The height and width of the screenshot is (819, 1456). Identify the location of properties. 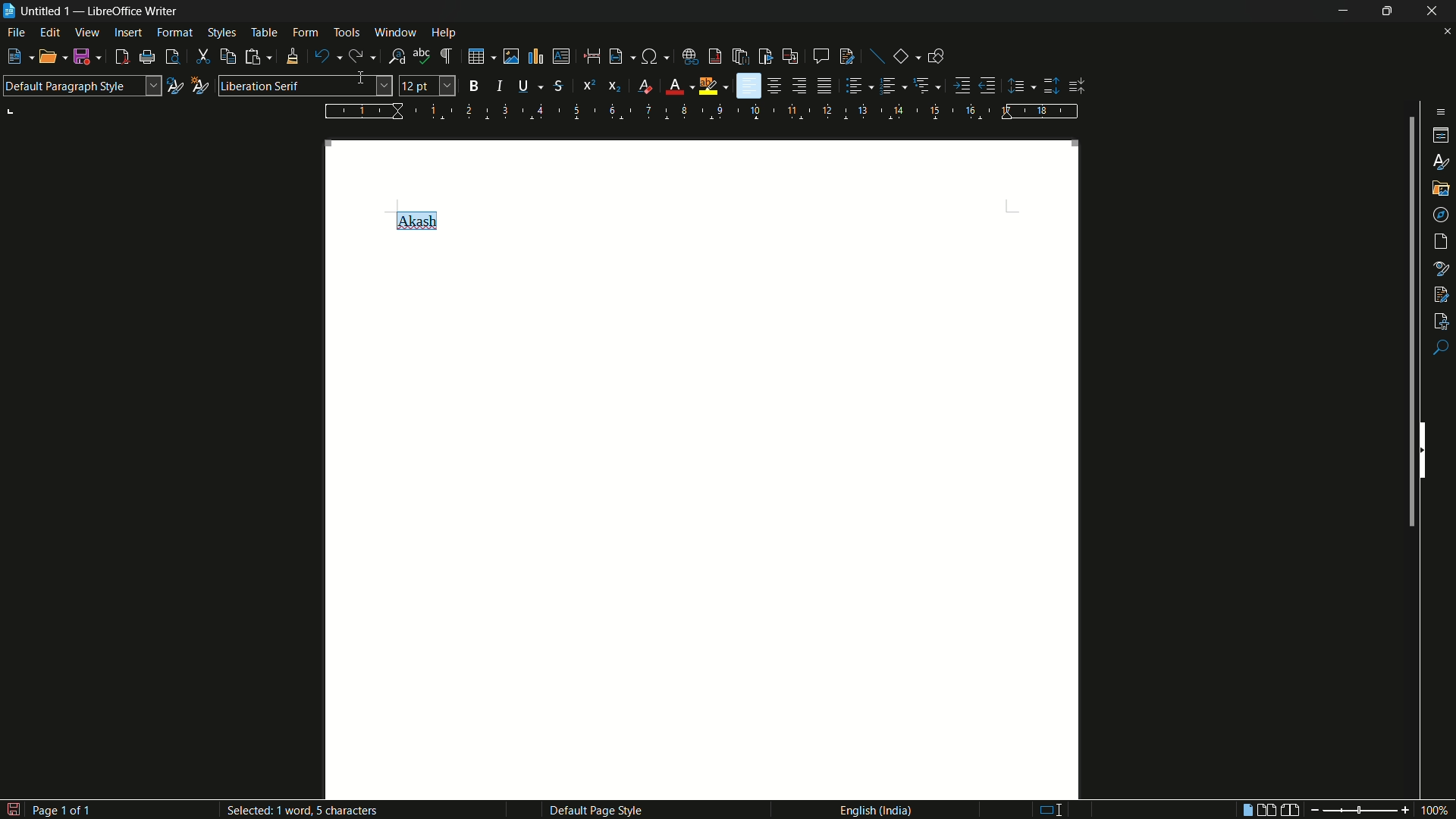
(1442, 136).